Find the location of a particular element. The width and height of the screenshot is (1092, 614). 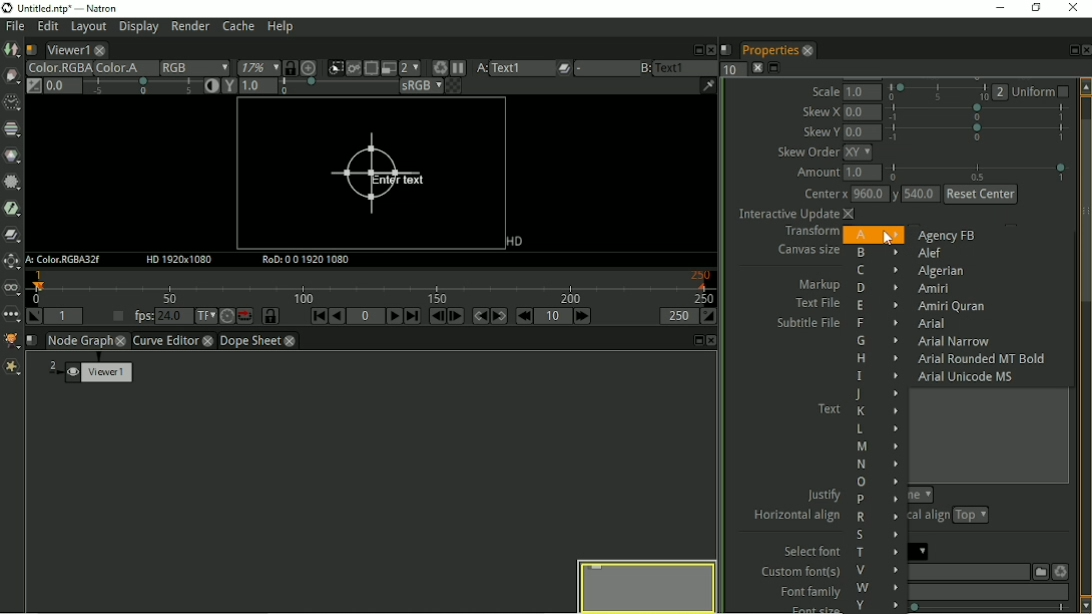

close is located at coordinates (122, 340).